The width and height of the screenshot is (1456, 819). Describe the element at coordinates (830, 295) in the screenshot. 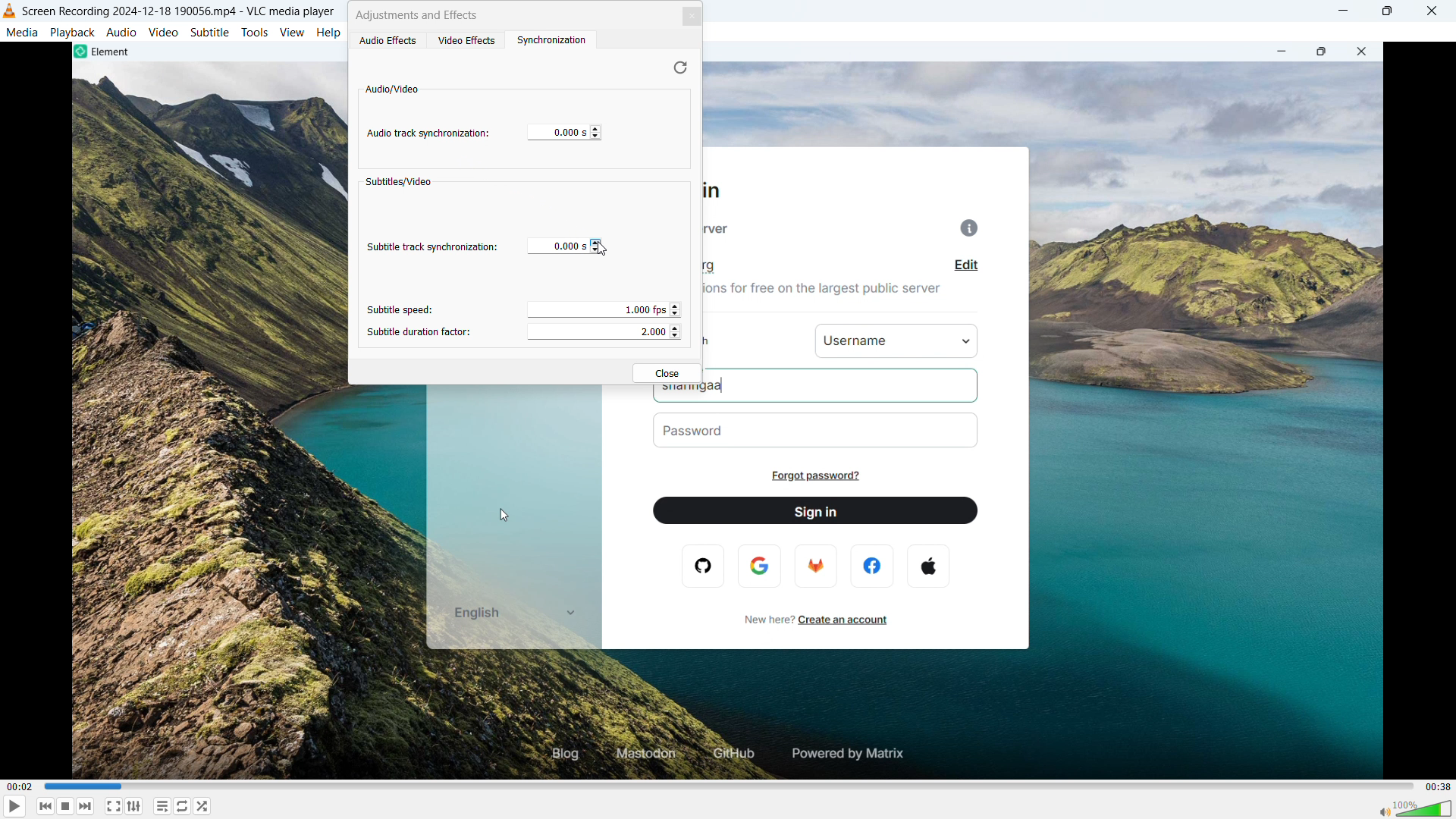

I see `join millions for free on the largest public server.` at that location.